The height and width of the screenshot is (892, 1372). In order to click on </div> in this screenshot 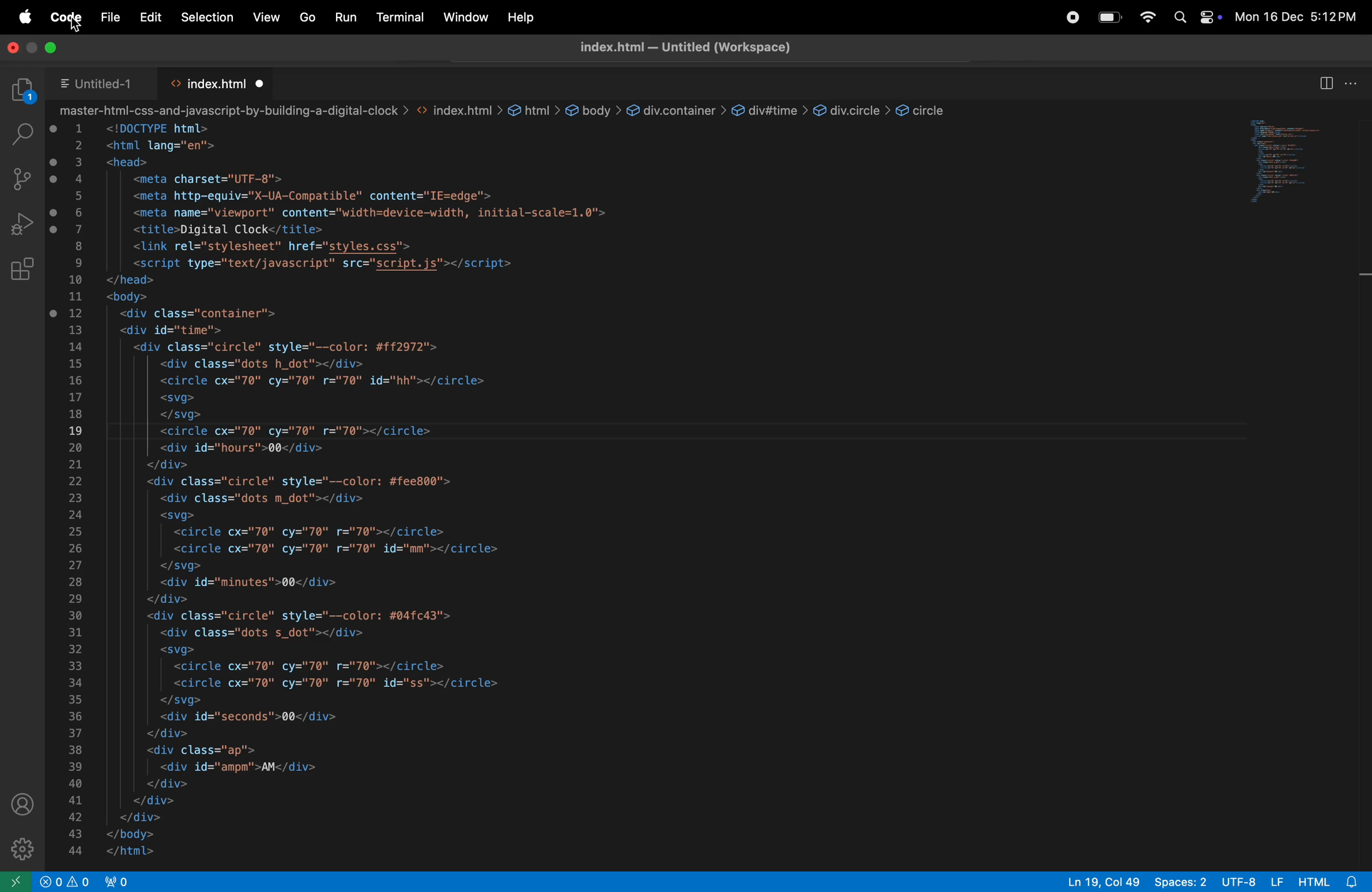, I will do `click(139, 818)`.